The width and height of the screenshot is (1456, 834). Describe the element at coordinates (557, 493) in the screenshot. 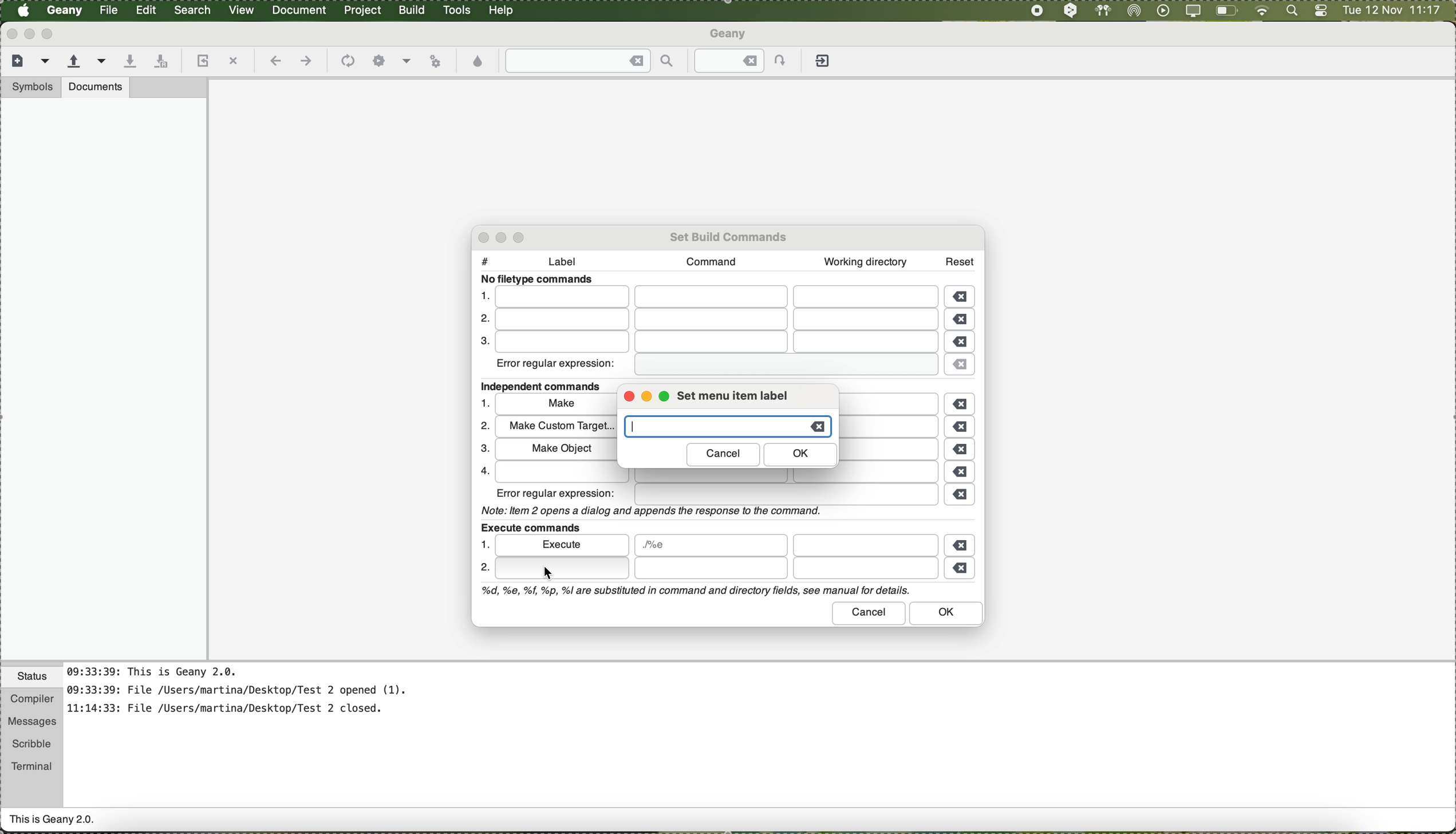

I see `error regular expression:` at that location.